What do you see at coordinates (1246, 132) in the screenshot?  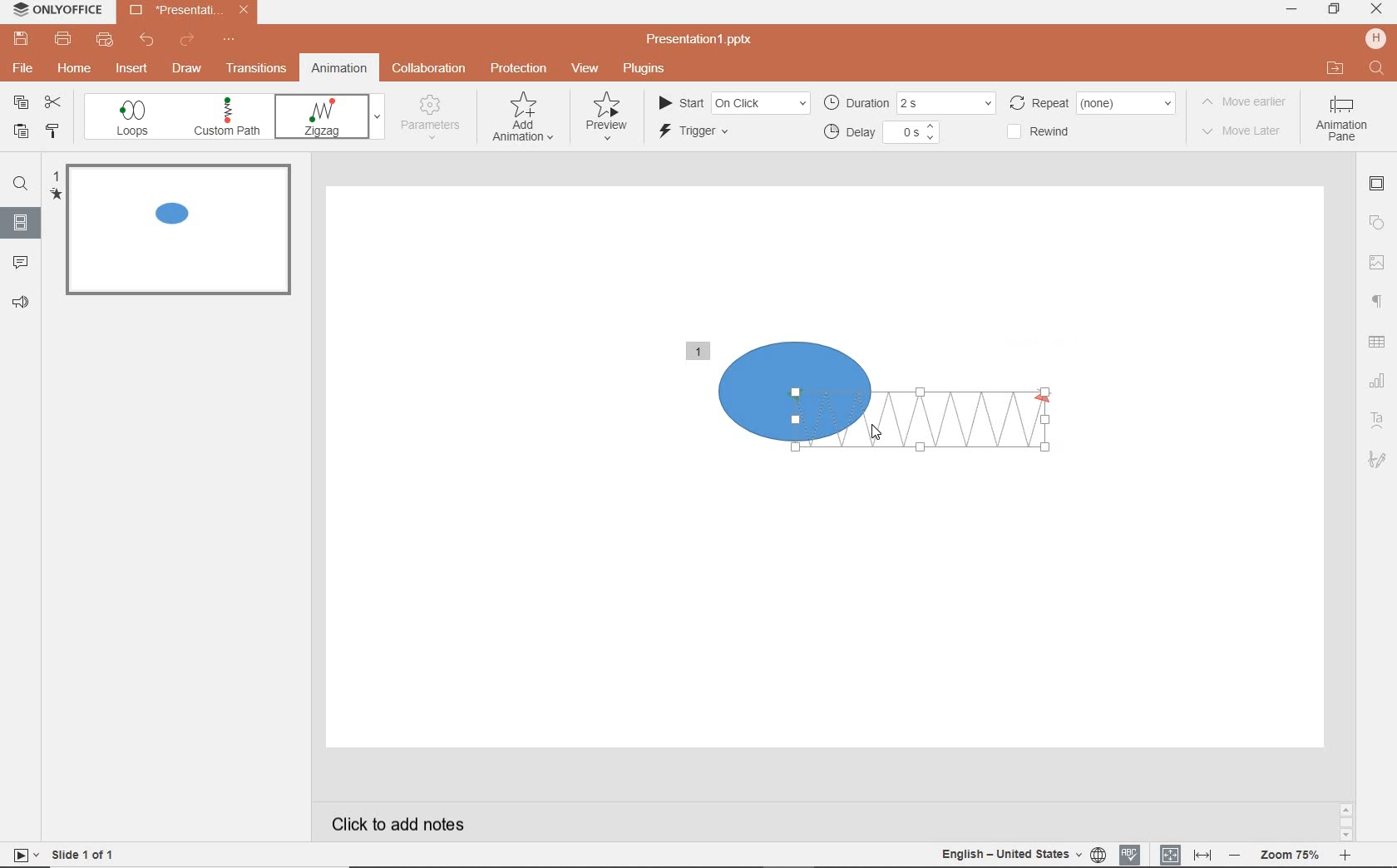 I see `move later` at bounding box center [1246, 132].